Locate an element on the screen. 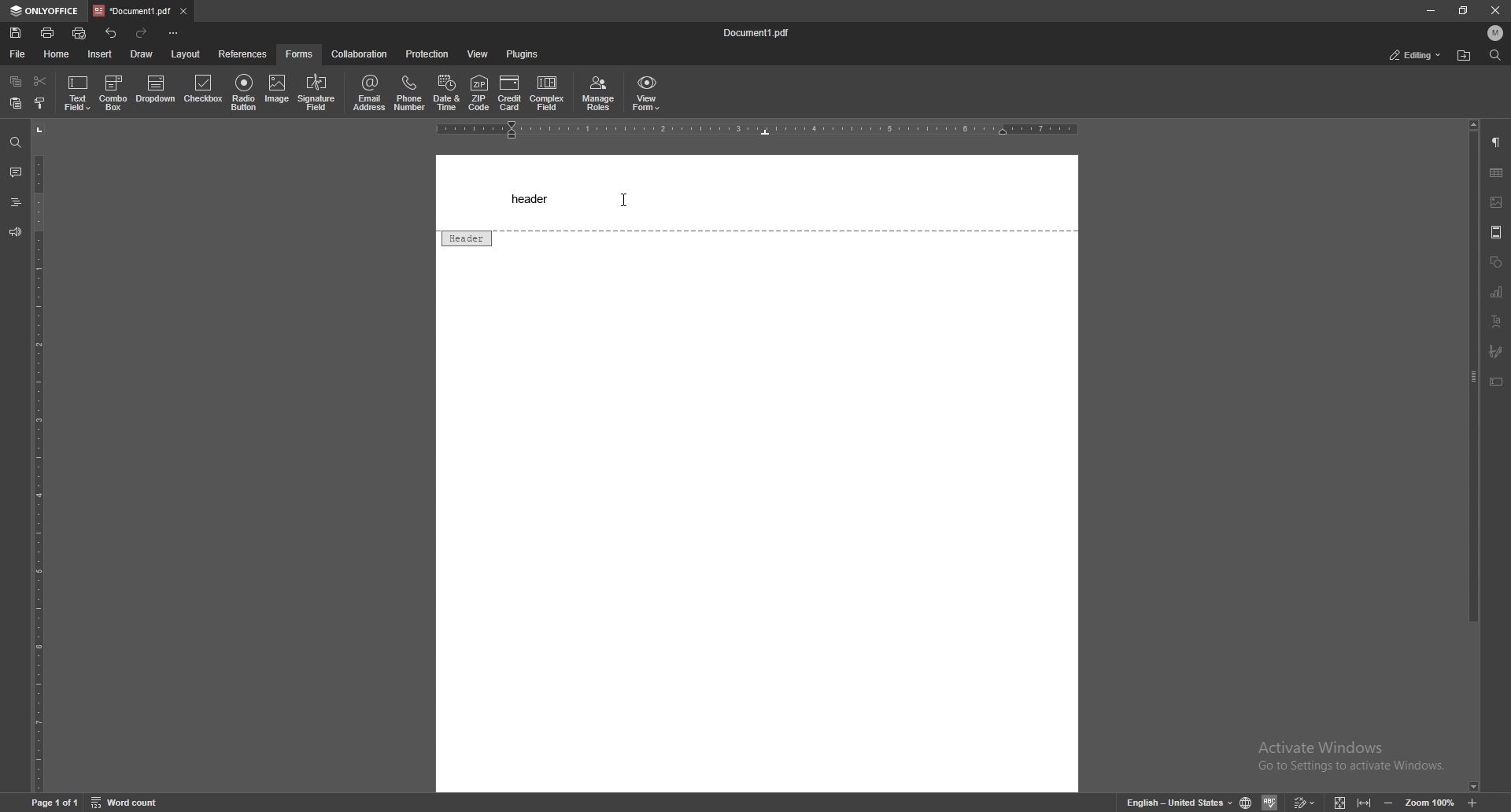 Image resolution: width=1511 pixels, height=812 pixels. layout is located at coordinates (187, 54).